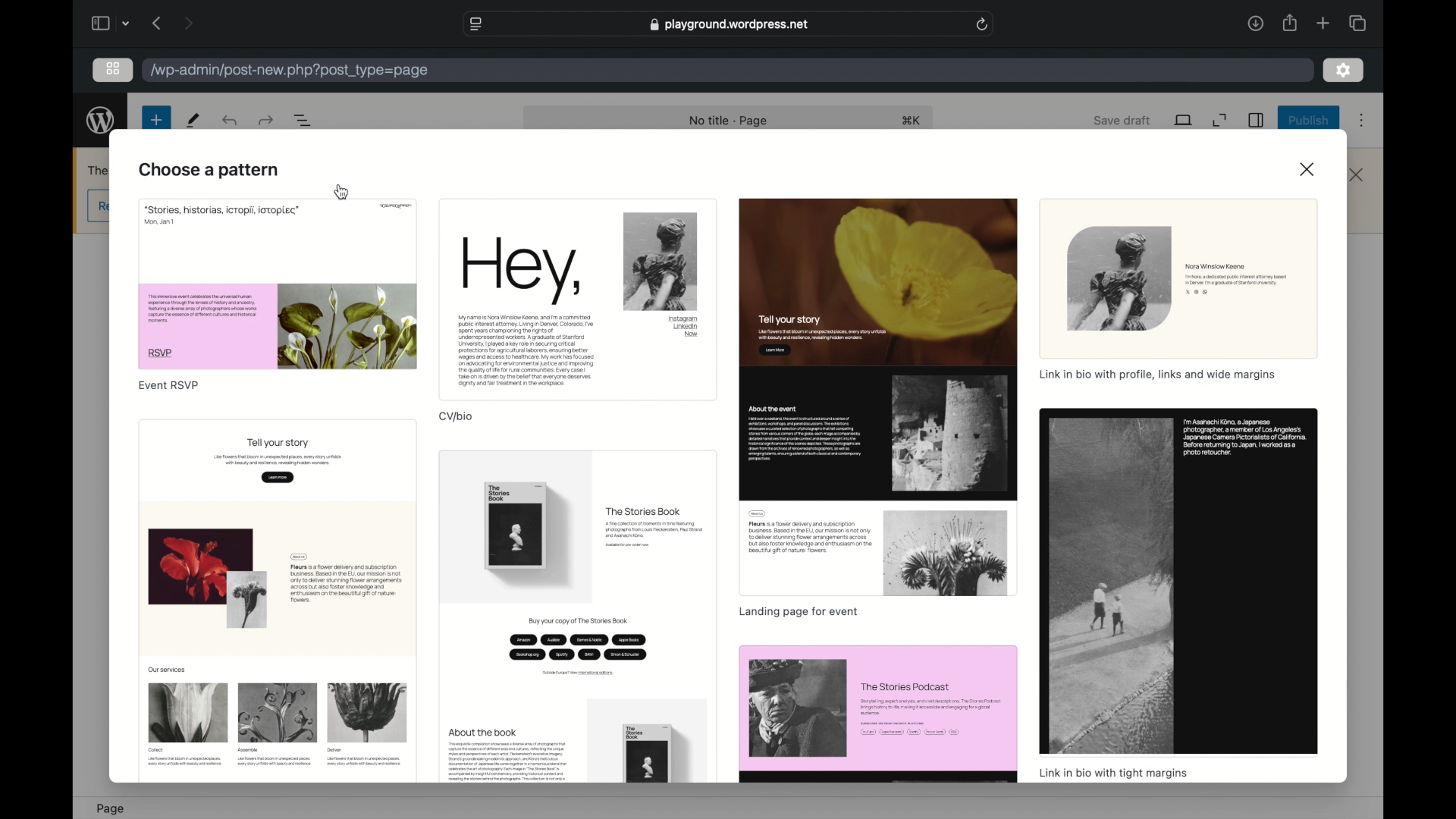 The width and height of the screenshot is (1456, 819). I want to click on preview, so click(579, 618).